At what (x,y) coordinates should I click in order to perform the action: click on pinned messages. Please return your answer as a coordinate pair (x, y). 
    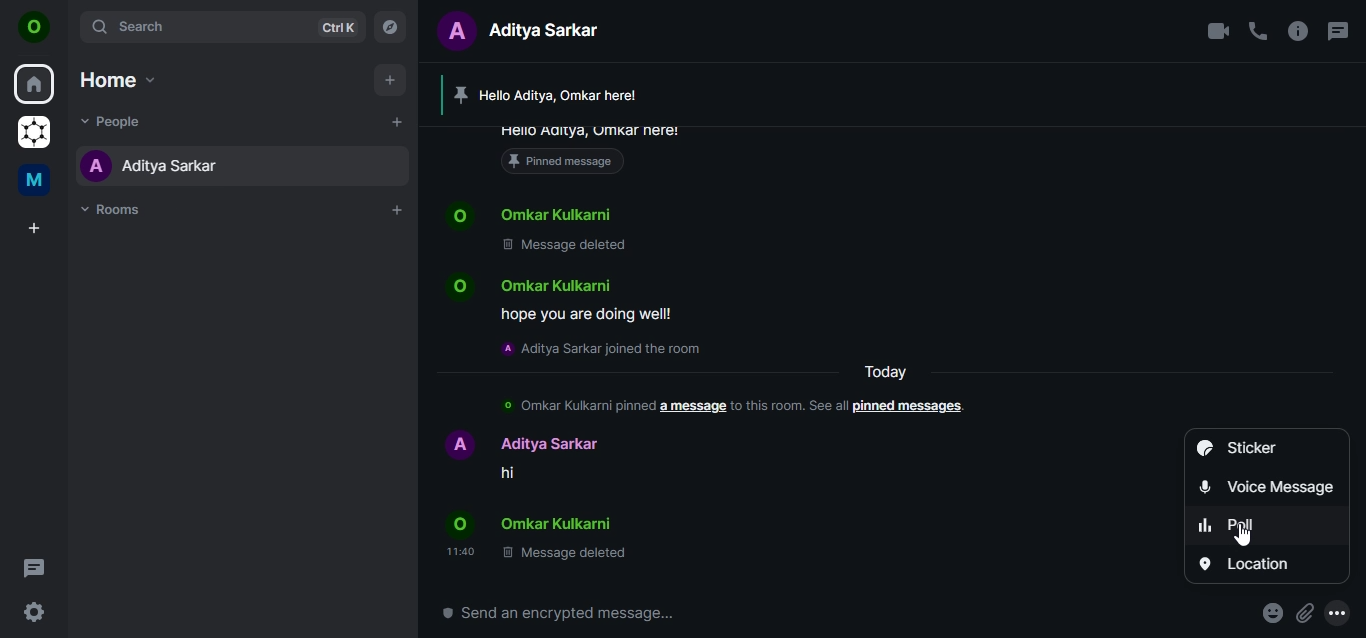
    Looking at the image, I should click on (909, 407).